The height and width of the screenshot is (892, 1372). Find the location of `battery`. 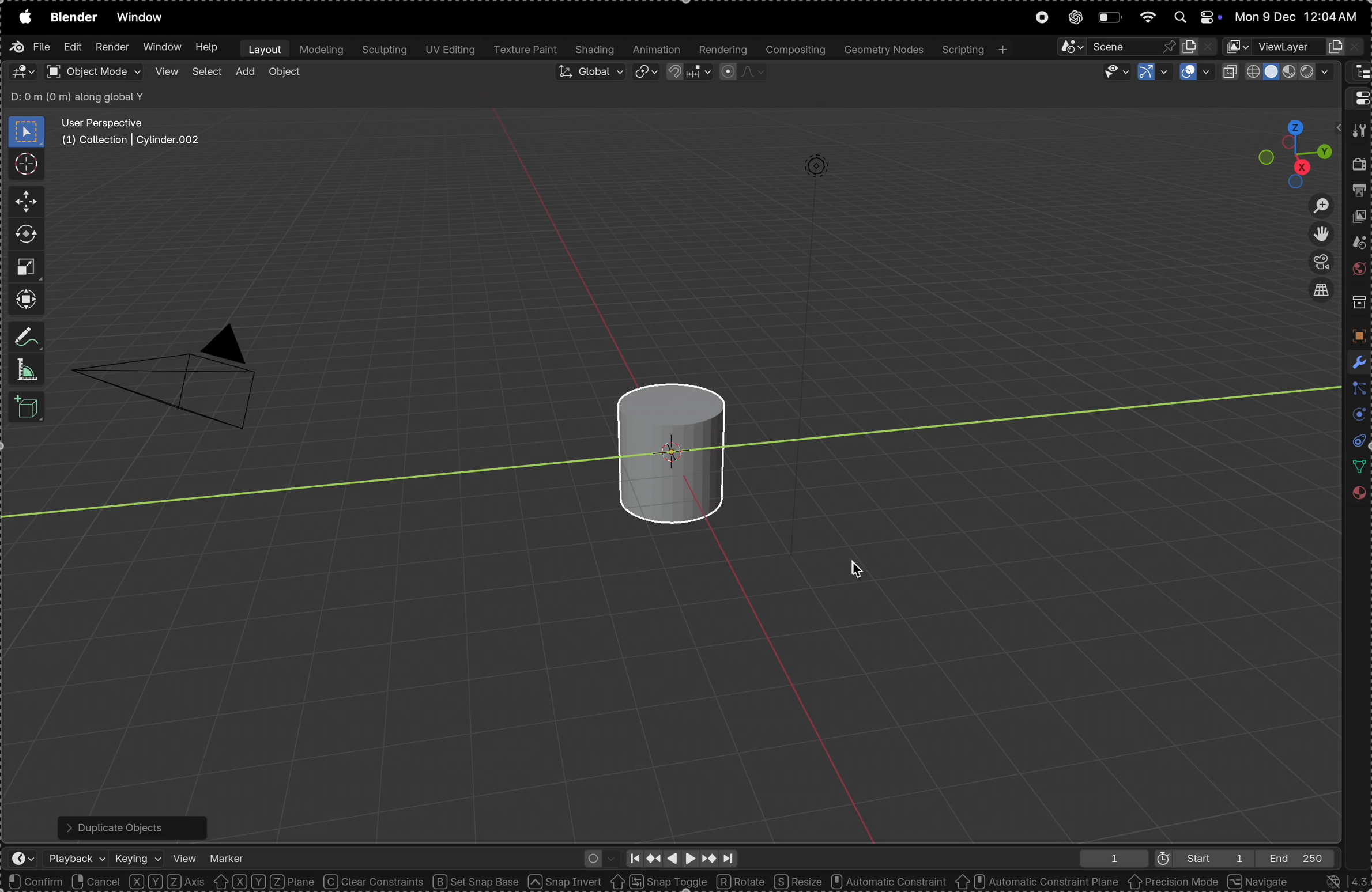

battery is located at coordinates (1109, 17).